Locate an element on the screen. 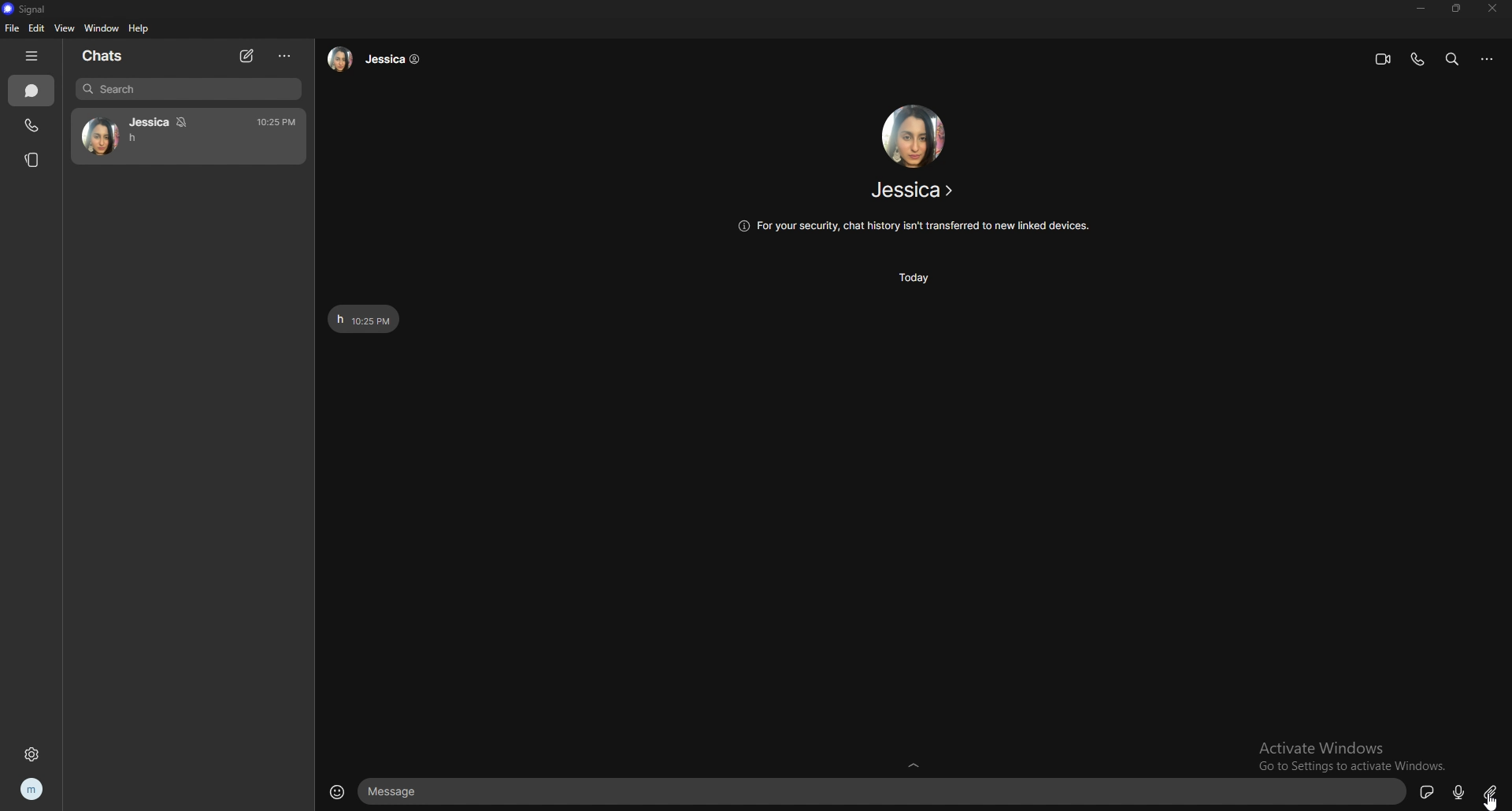 The height and width of the screenshot is (811, 1512). chat is located at coordinates (187, 136).